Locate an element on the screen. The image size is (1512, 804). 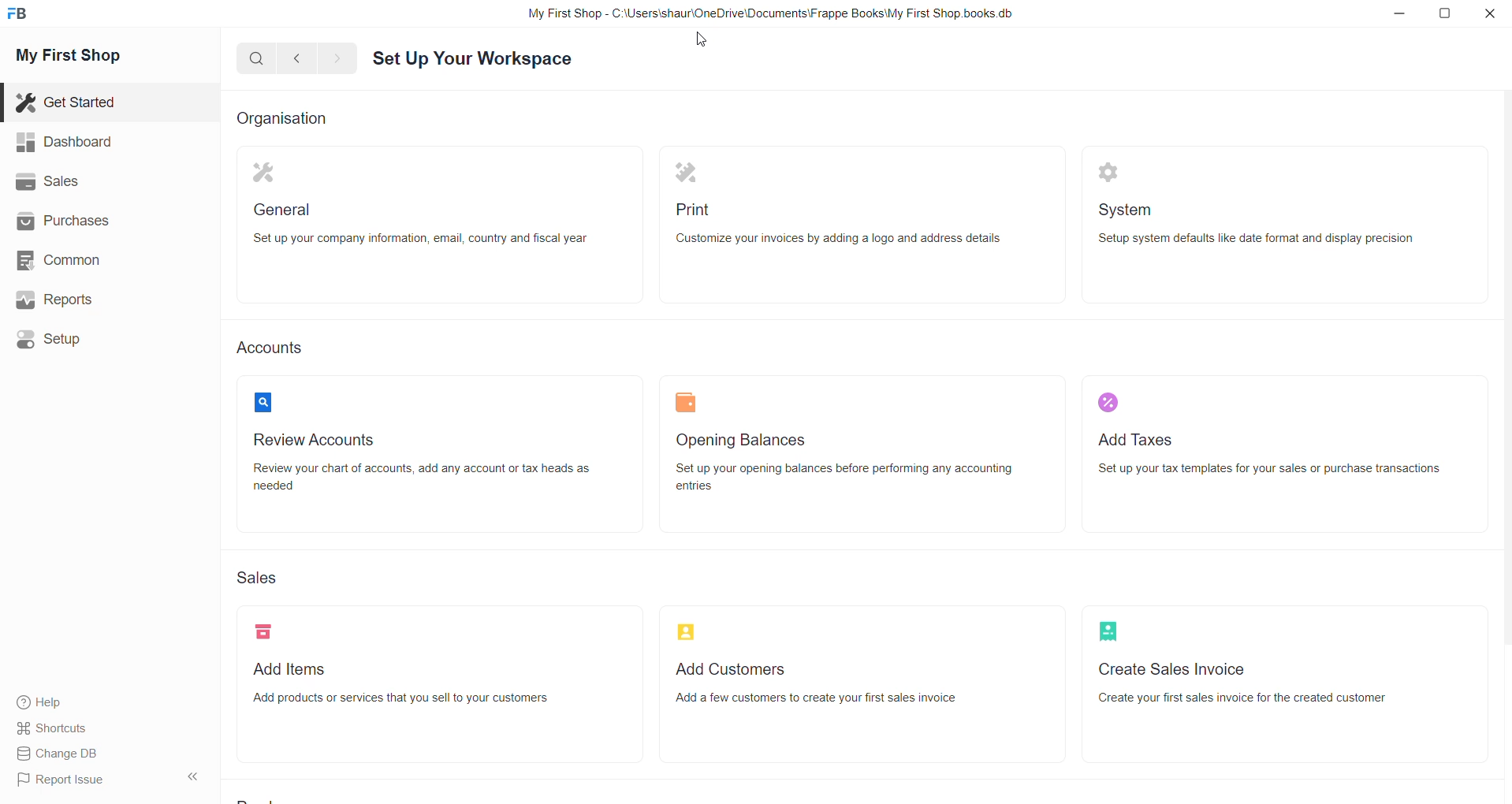
close is located at coordinates (1491, 16).